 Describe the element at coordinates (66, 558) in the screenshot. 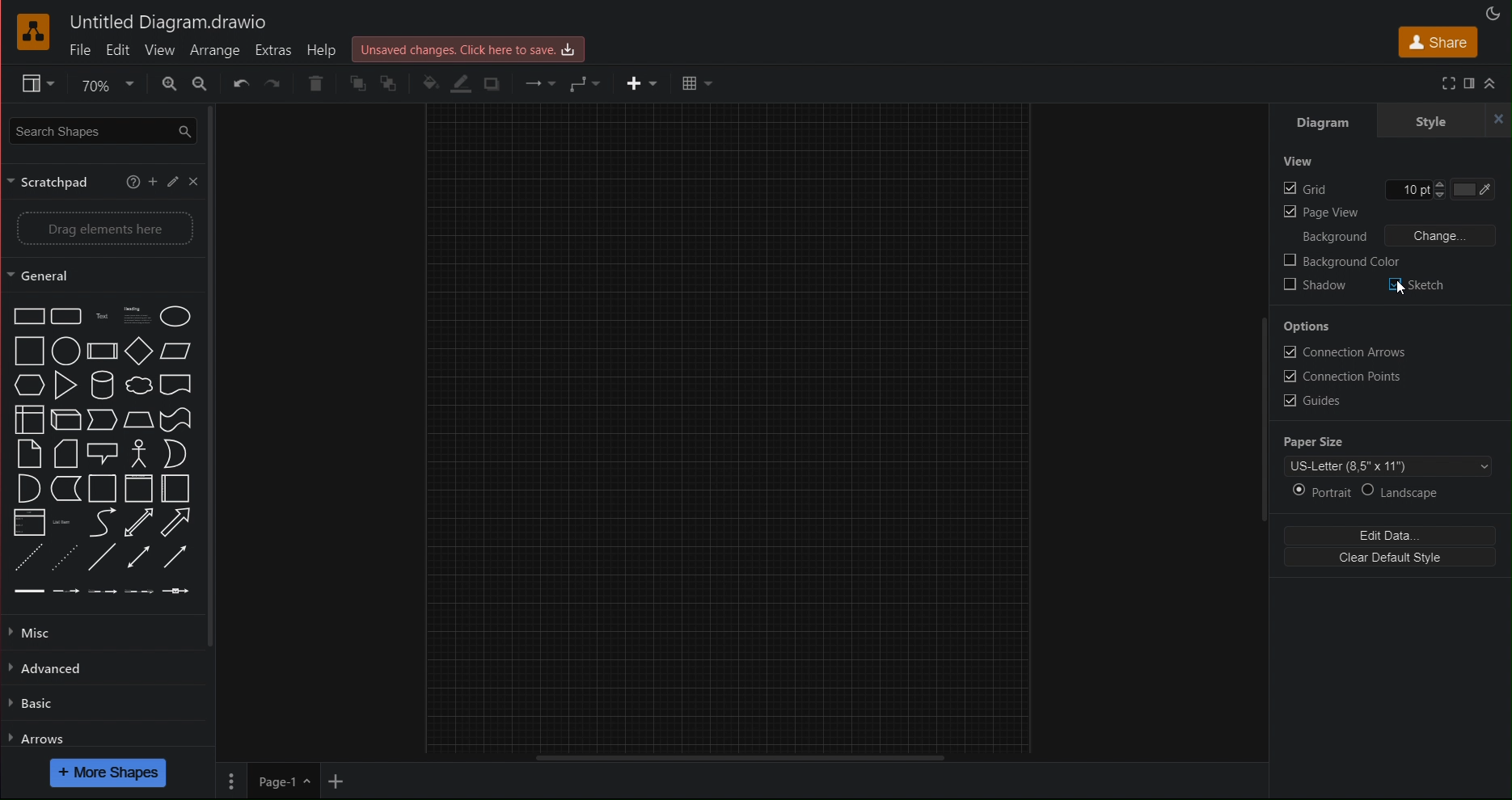

I see `dotted line` at that location.